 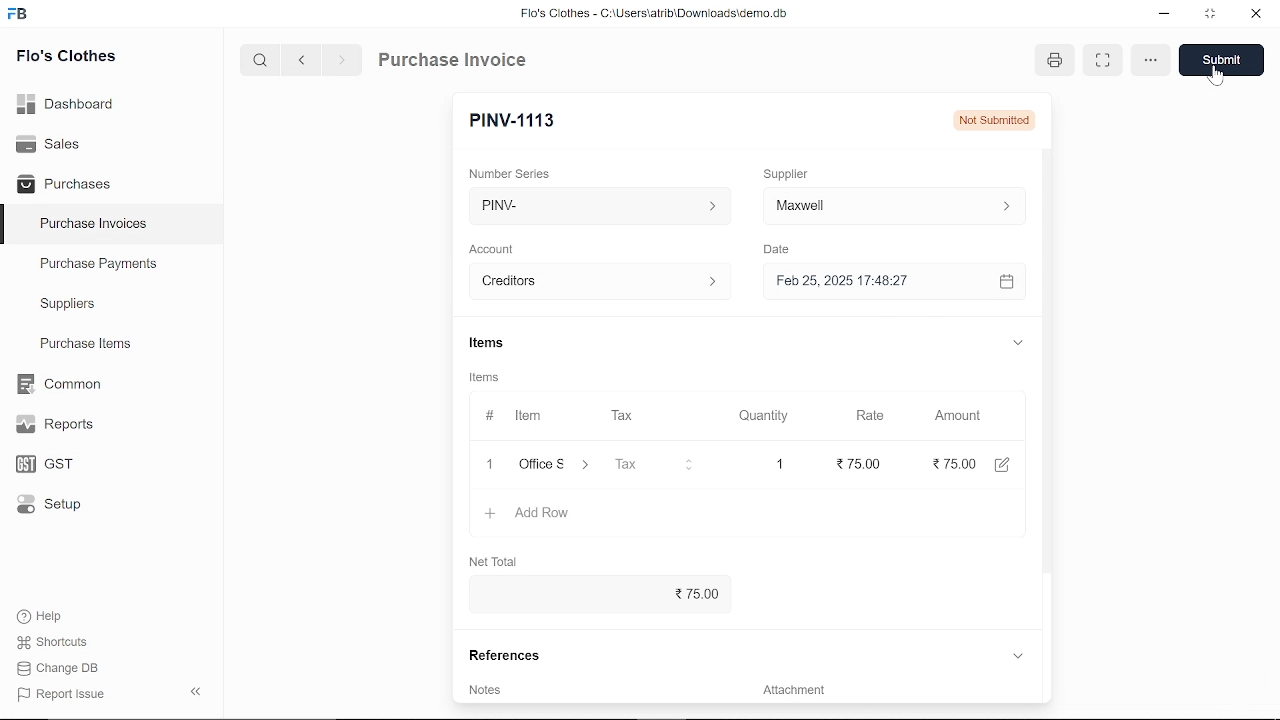 I want to click on  Feb 25, 2025 17:48:27, so click(x=874, y=281).